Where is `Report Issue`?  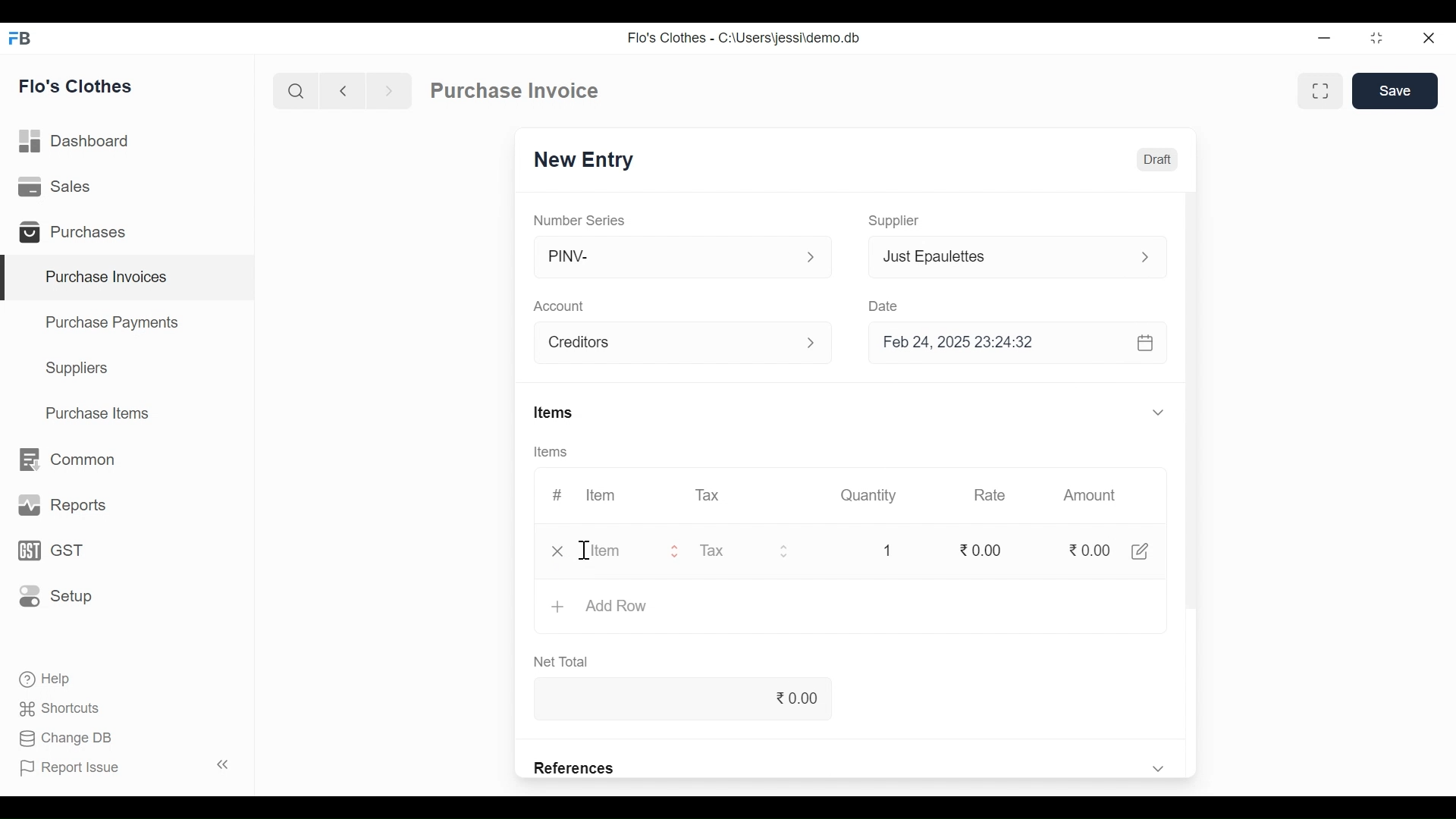
Report Issue is located at coordinates (126, 766).